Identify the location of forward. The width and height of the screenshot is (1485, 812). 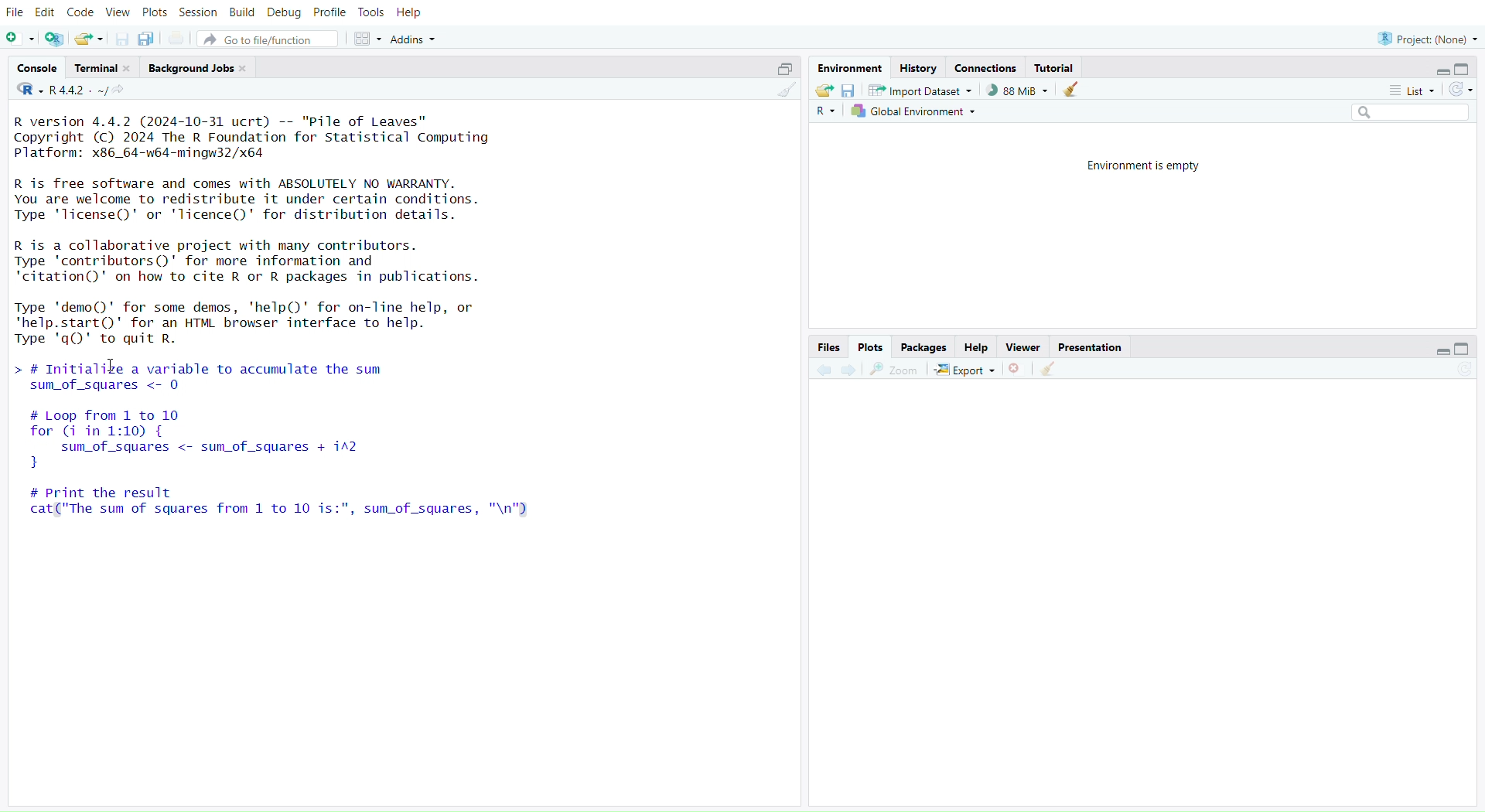
(850, 371).